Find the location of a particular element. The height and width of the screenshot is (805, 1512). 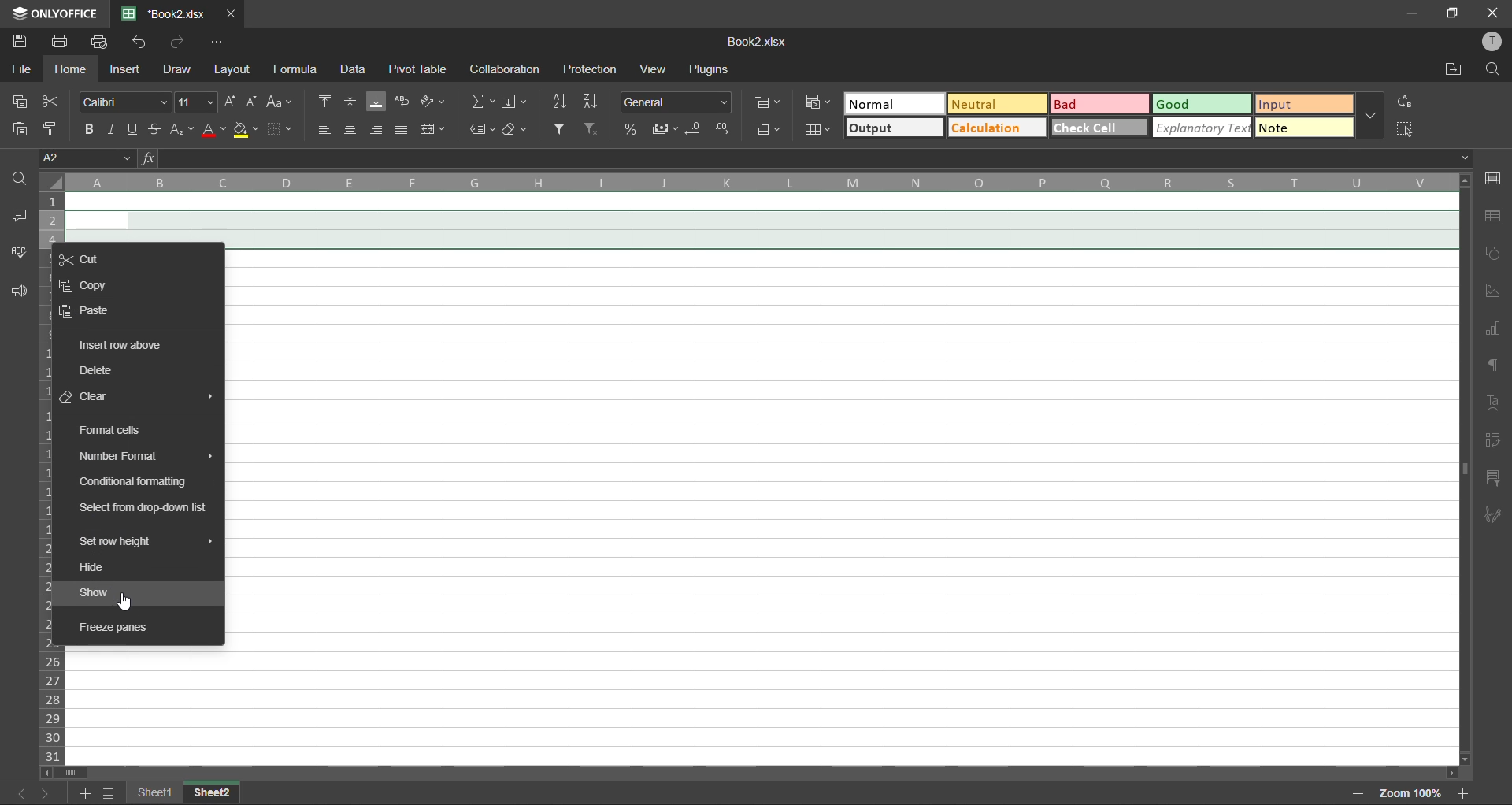

table is located at coordinates (1495, 217).